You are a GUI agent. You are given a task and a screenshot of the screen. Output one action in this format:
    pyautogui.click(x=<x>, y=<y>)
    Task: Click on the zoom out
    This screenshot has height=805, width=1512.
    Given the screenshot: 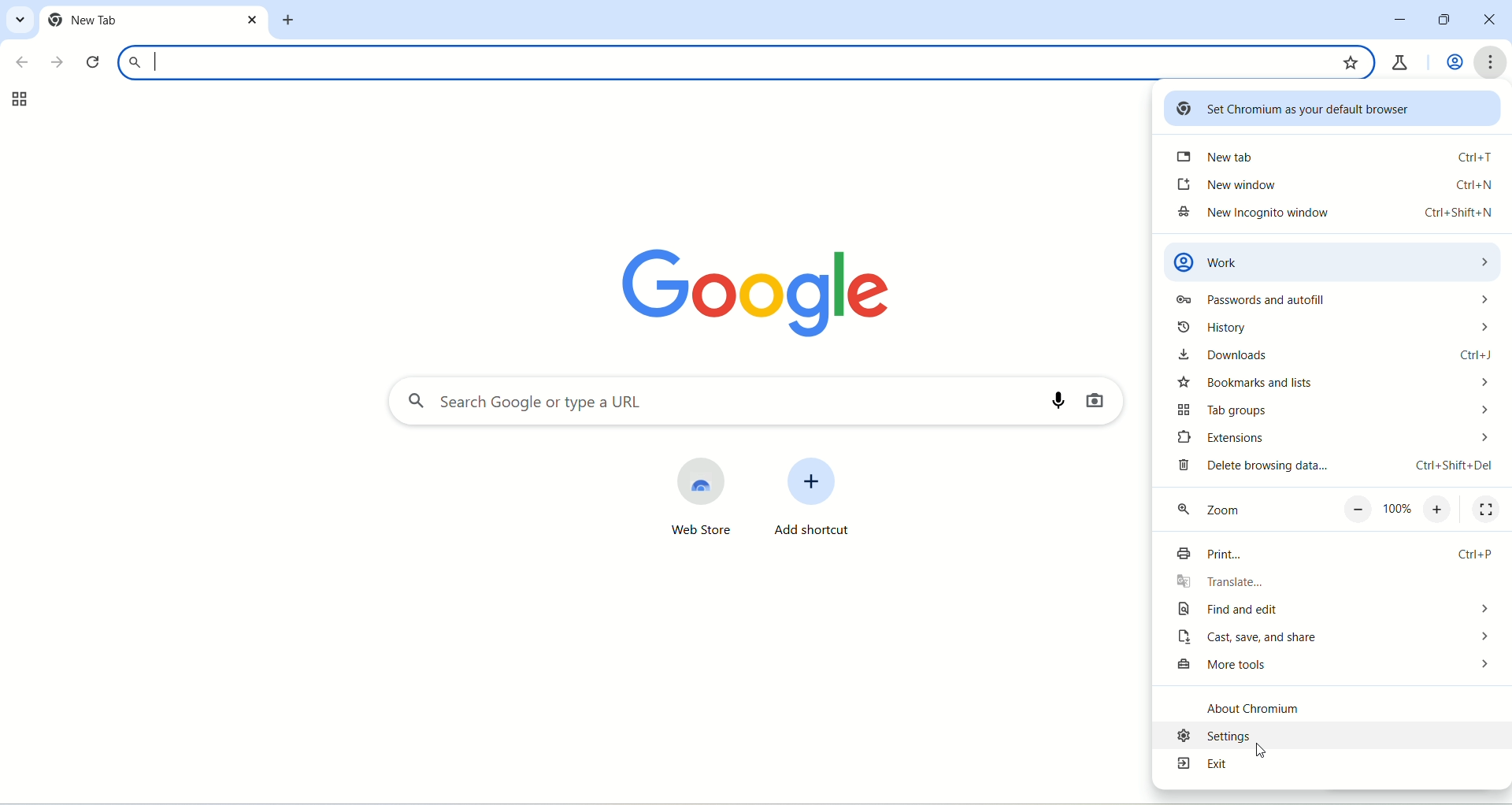 What is the action you would take?
    pyautogui.click(x=1358, y=510)
    